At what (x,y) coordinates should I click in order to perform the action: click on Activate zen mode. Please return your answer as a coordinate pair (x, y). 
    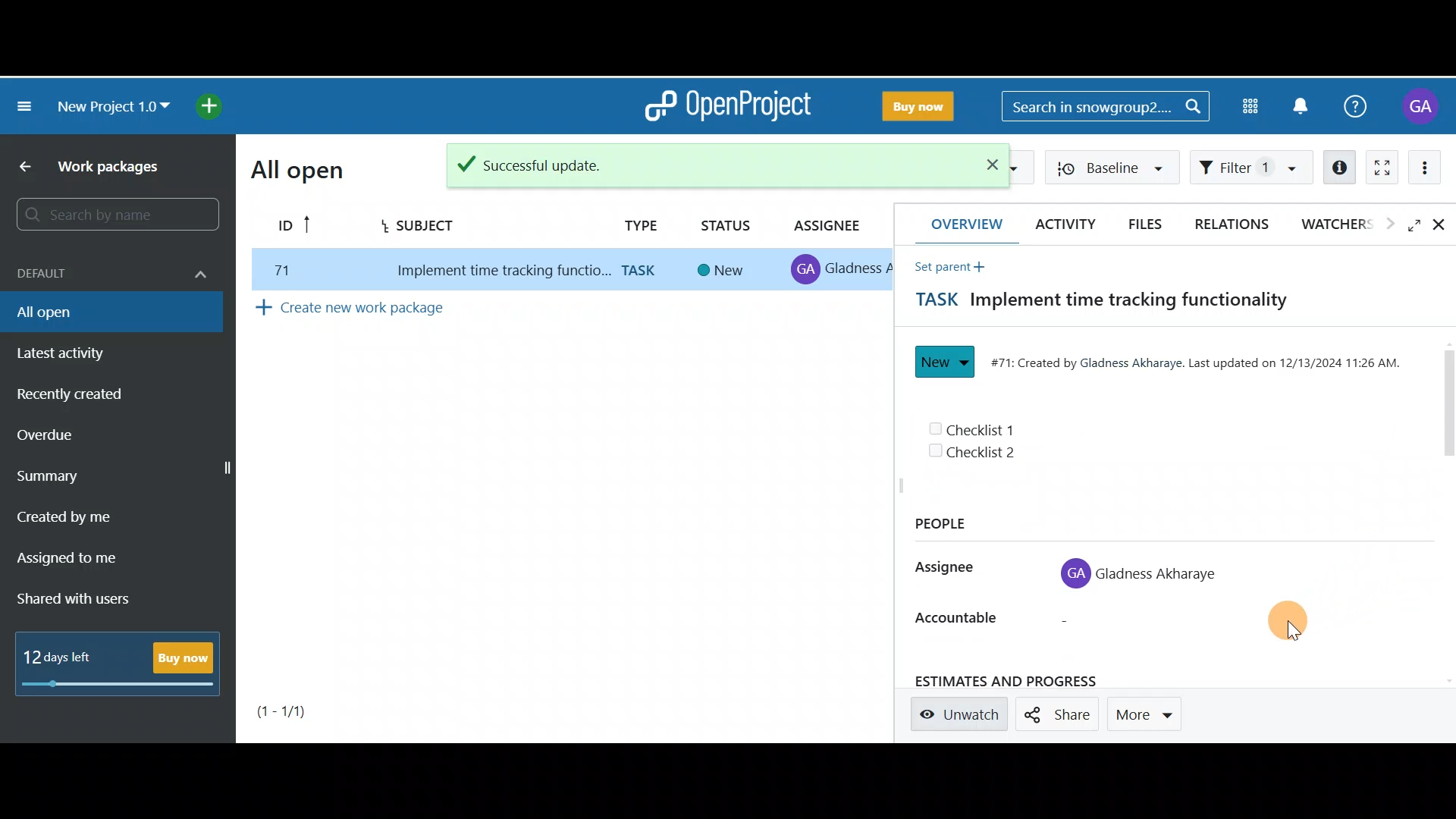
    Looking at the image, I should click on (1384, 168).